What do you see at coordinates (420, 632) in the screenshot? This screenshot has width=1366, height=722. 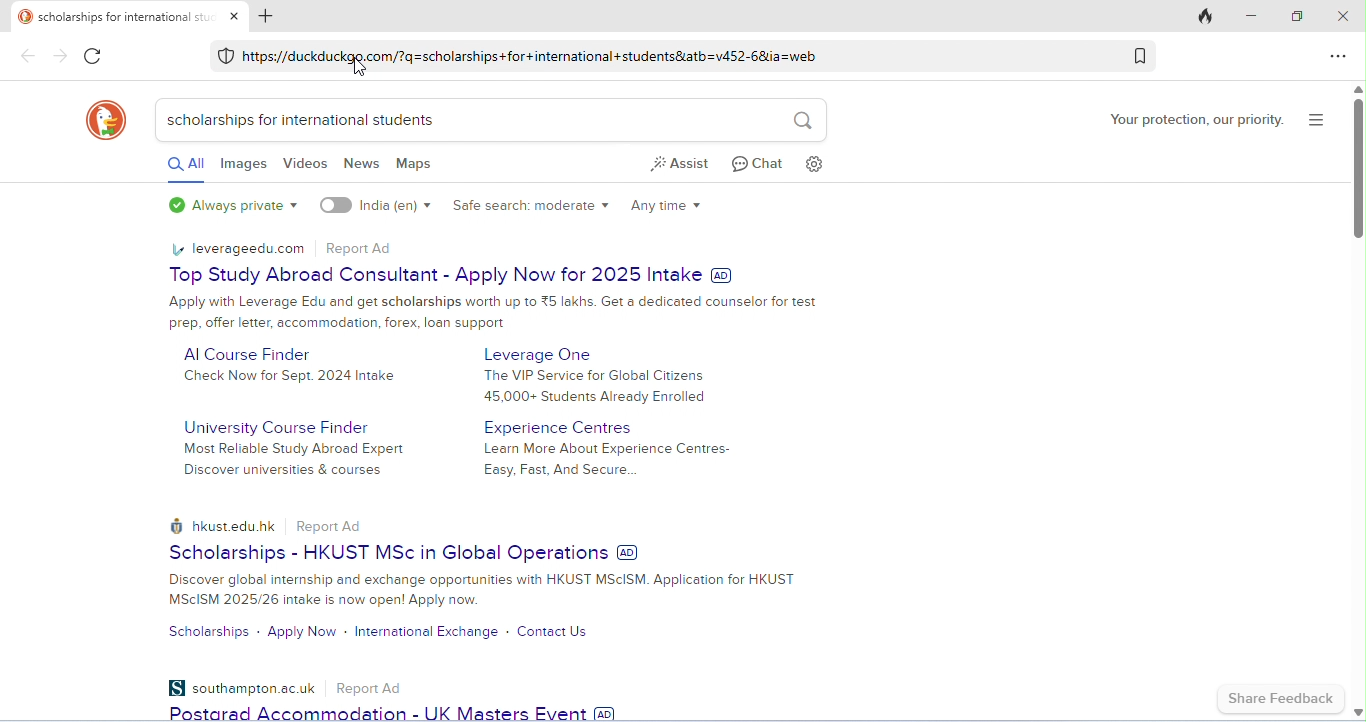 I see `international exchange` at bounding box center [420, 632].